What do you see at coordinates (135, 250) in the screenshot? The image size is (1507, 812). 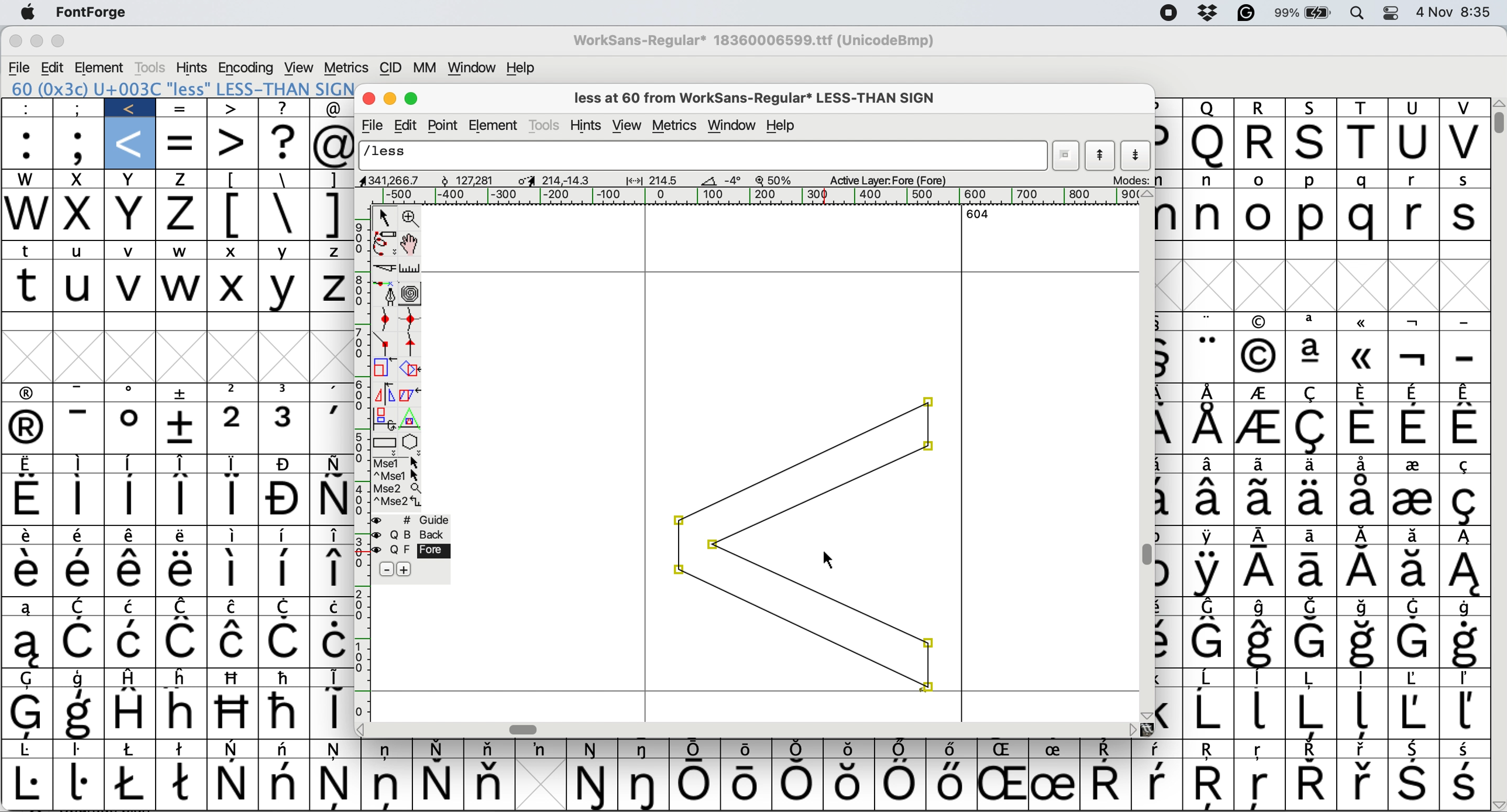 I see `v` at bounding box center [135, 250].